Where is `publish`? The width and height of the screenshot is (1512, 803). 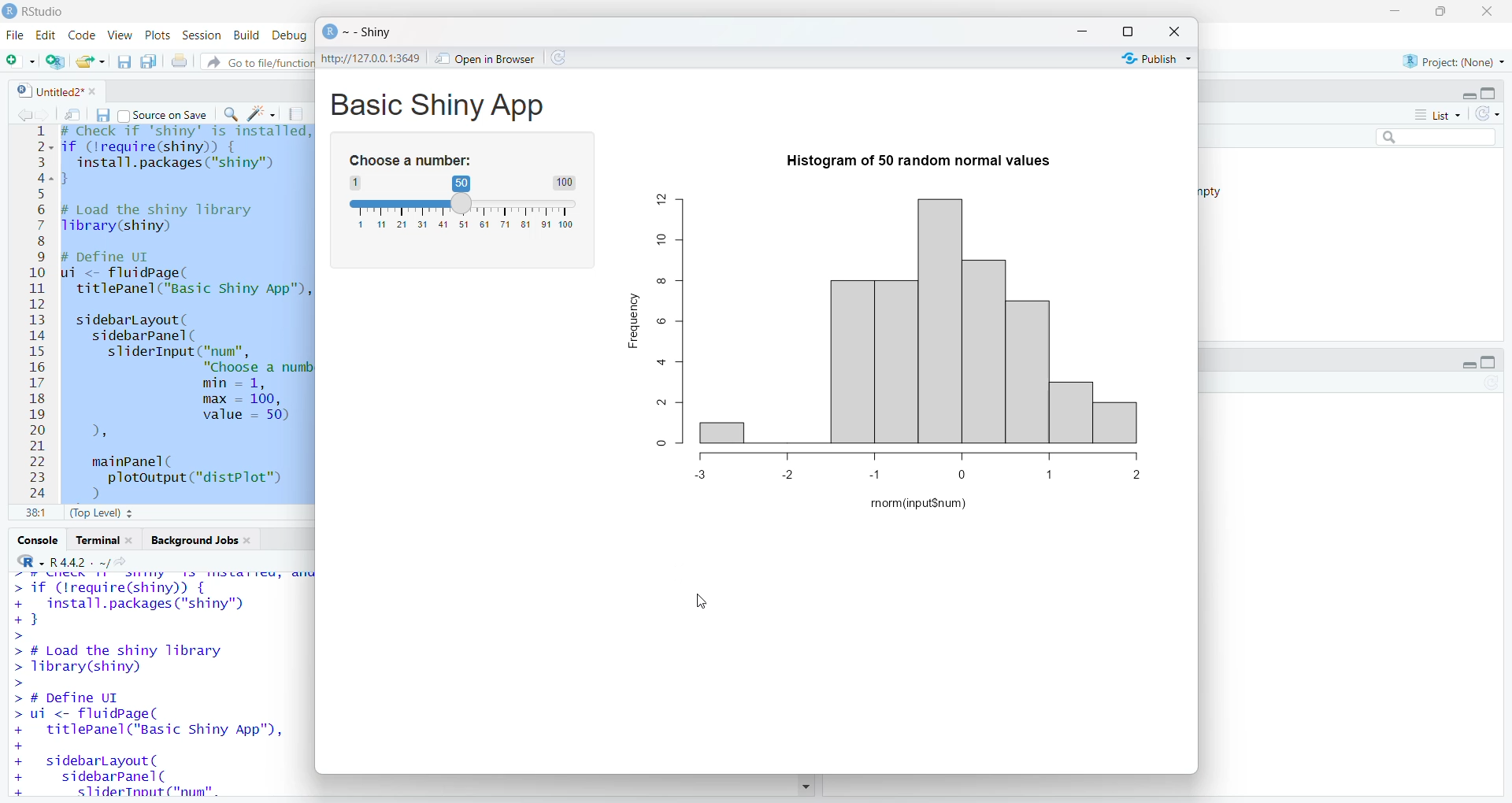
publish is located at coordinates (1155, 58).